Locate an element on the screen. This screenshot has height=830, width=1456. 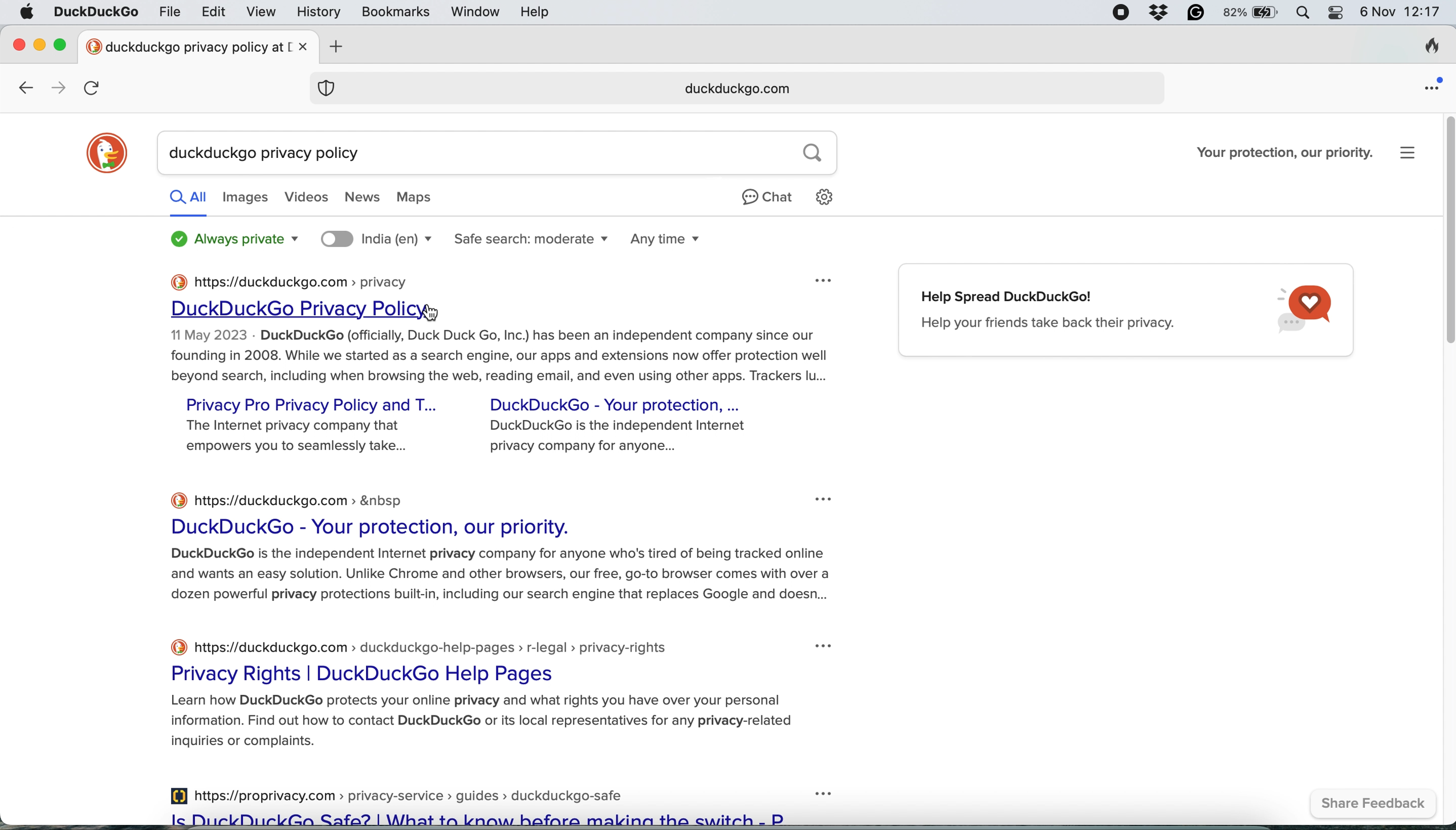
minimise is located at coordinates (39, 46).